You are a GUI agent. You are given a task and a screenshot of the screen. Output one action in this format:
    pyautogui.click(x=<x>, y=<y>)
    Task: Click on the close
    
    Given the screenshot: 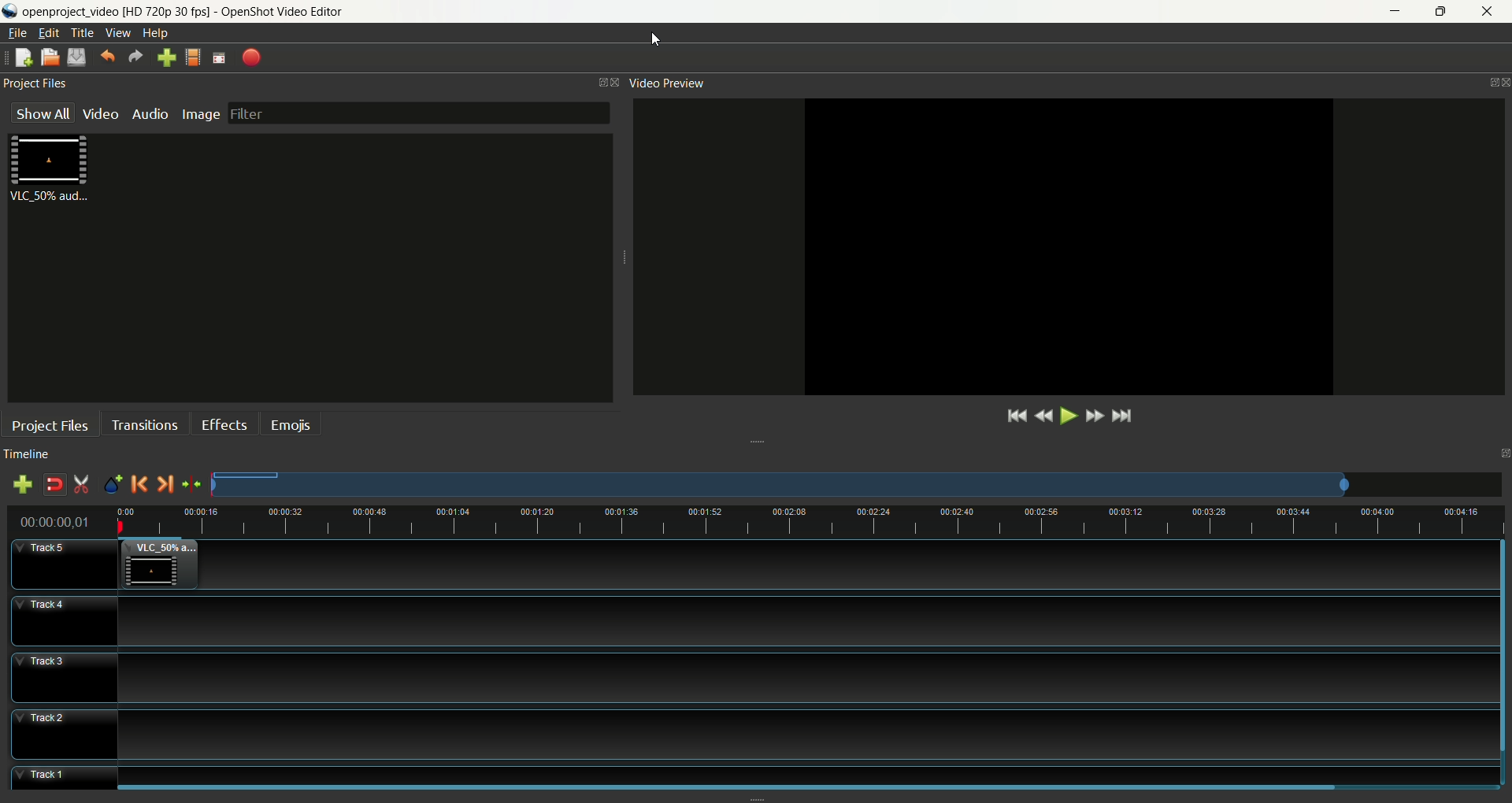 What is the action you would take?
    pyautogui.click(x=613, y=83)
    